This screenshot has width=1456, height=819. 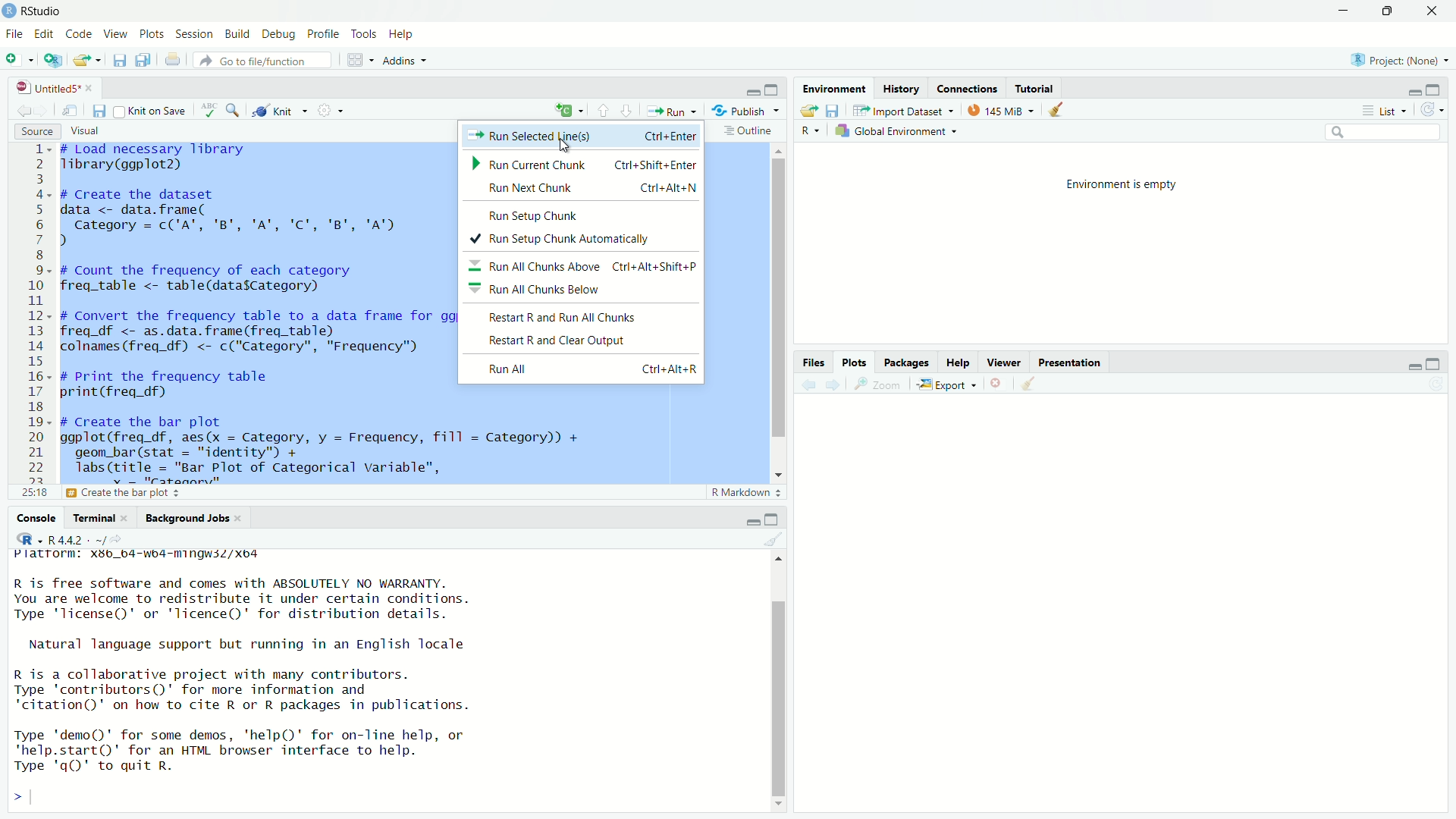 I want to click on cursor, so click(x=566, y=151).